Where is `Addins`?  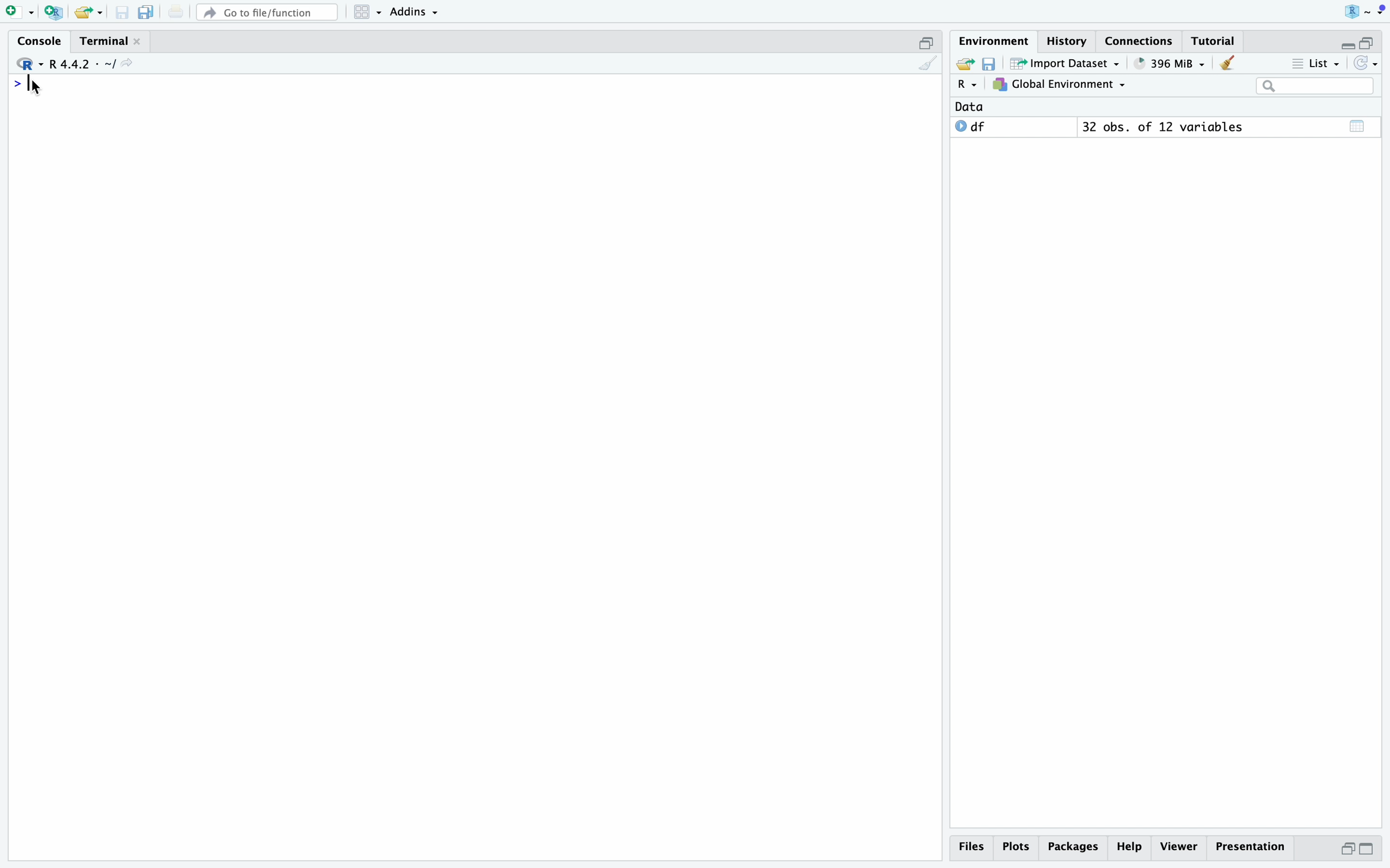 Addins is located at coordinates (415, 12).